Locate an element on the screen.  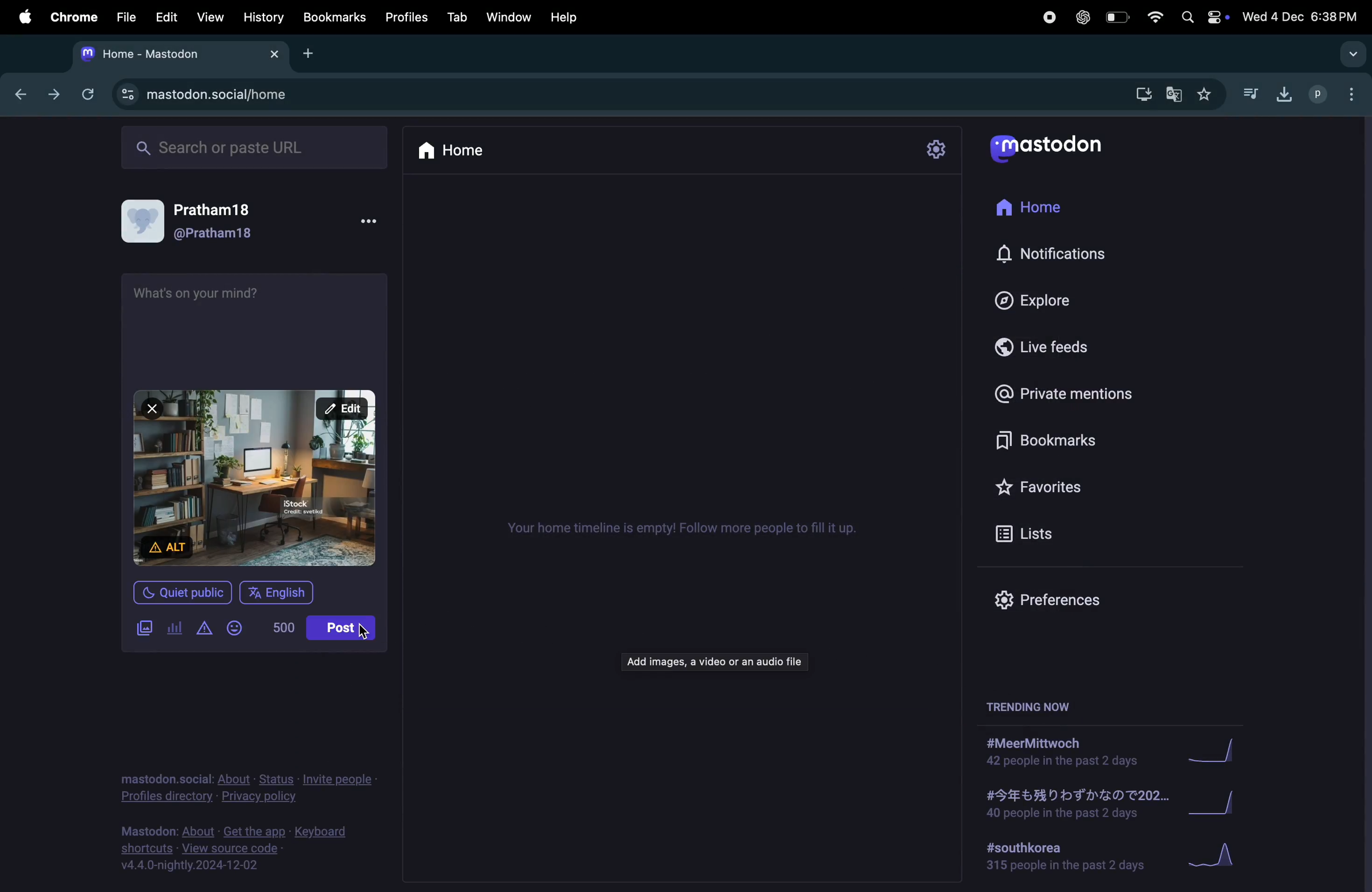
English is located at coordinates (280, 591).